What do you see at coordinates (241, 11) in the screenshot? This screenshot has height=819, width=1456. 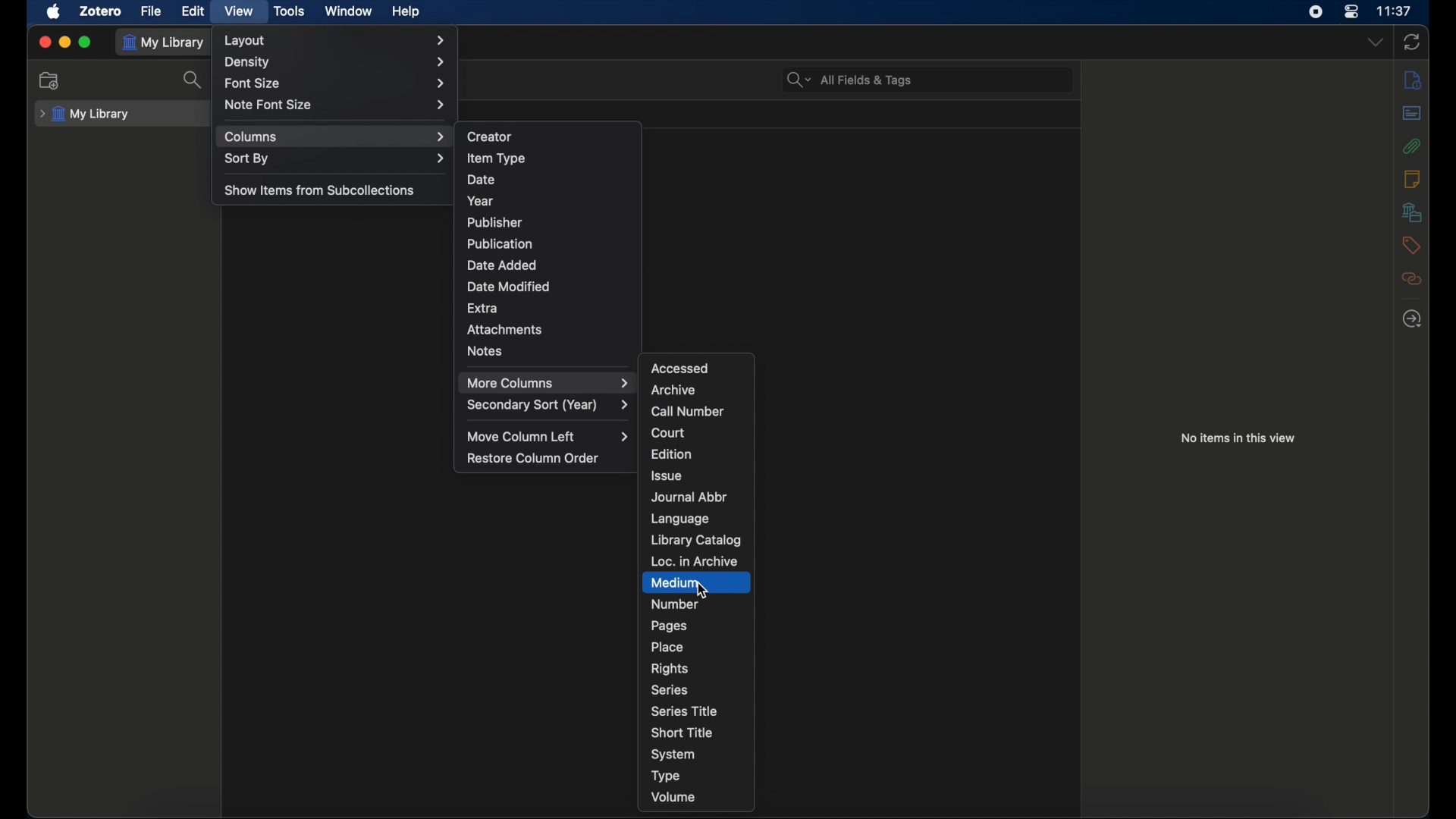 I see `view` at bounding box center [241, 11].